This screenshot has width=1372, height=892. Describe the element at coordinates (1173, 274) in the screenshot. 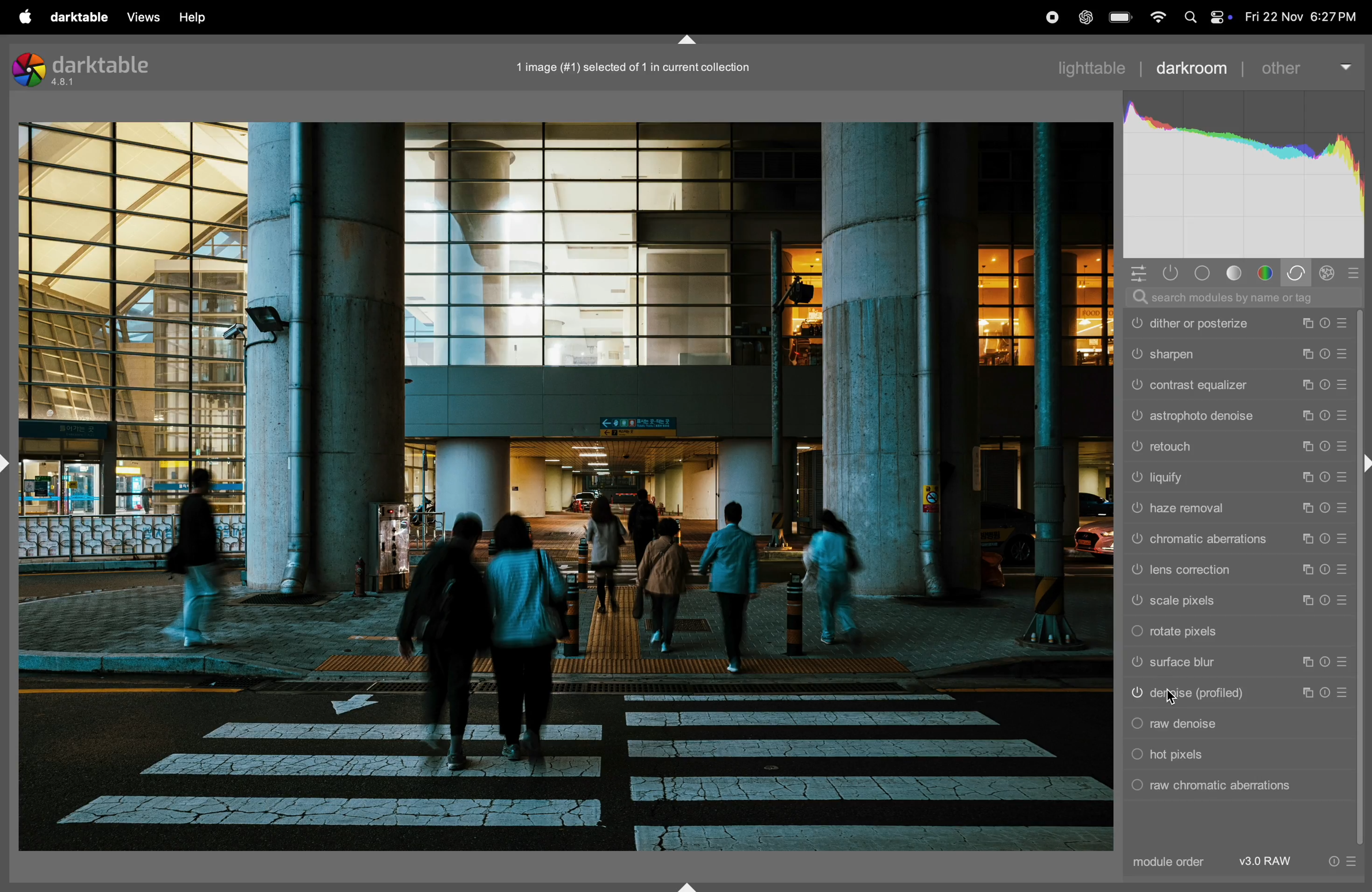

I see `show only active modes` at that location.